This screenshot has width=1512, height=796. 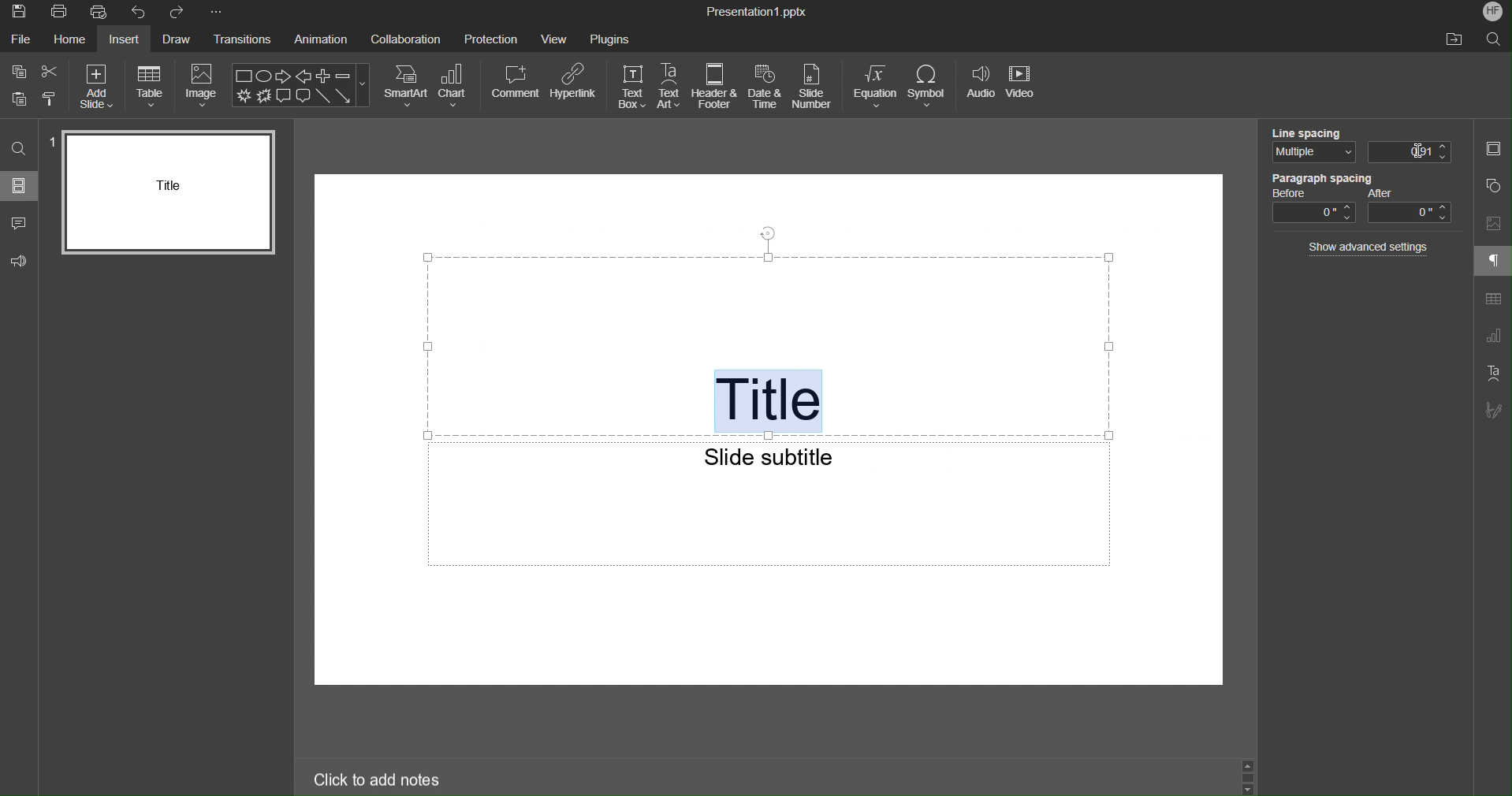 I want to click on Equation, so click(x=876, y=87).